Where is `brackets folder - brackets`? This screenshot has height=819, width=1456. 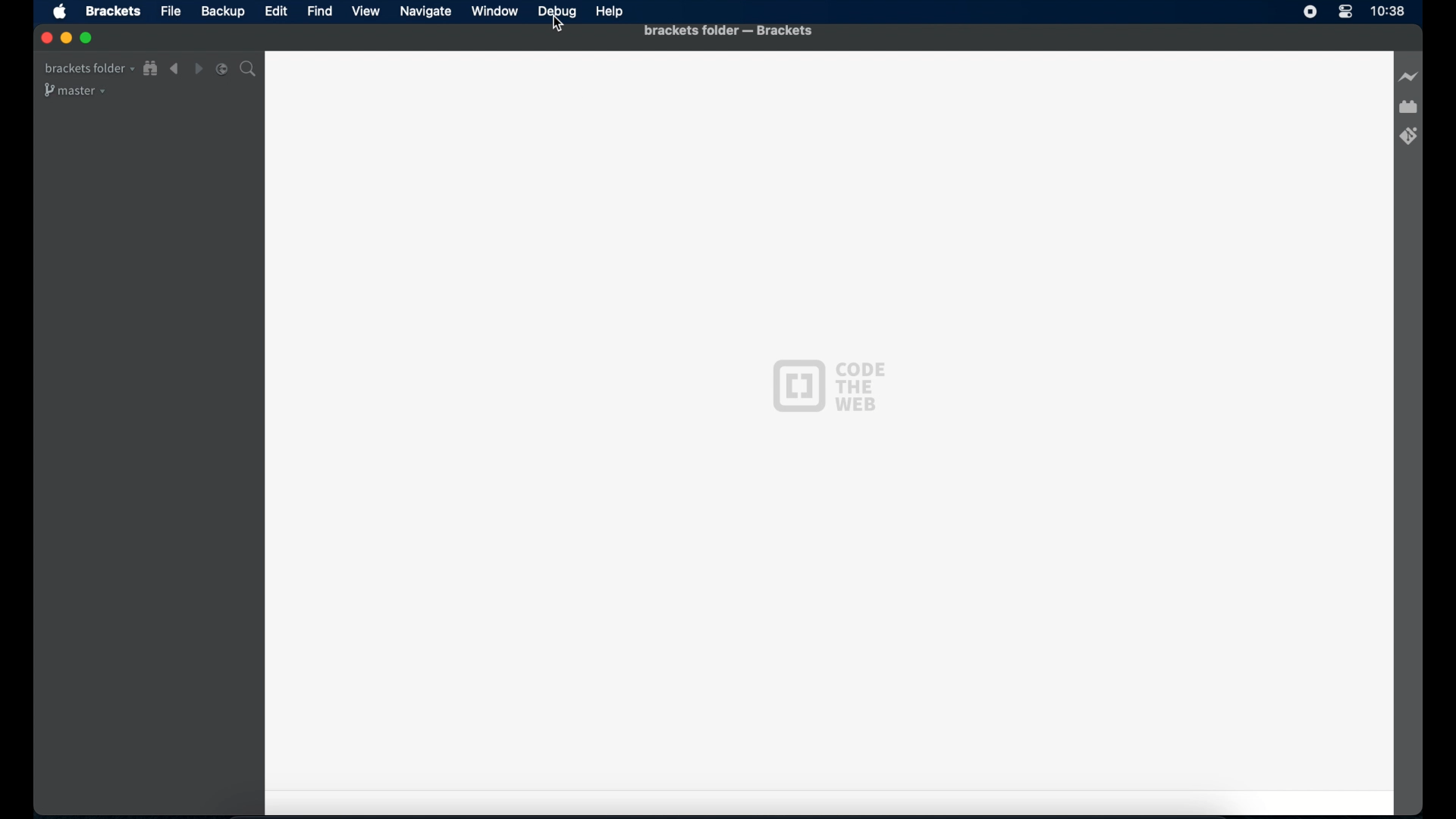 brackets folder - brackets is located at coordinates (729, 32).